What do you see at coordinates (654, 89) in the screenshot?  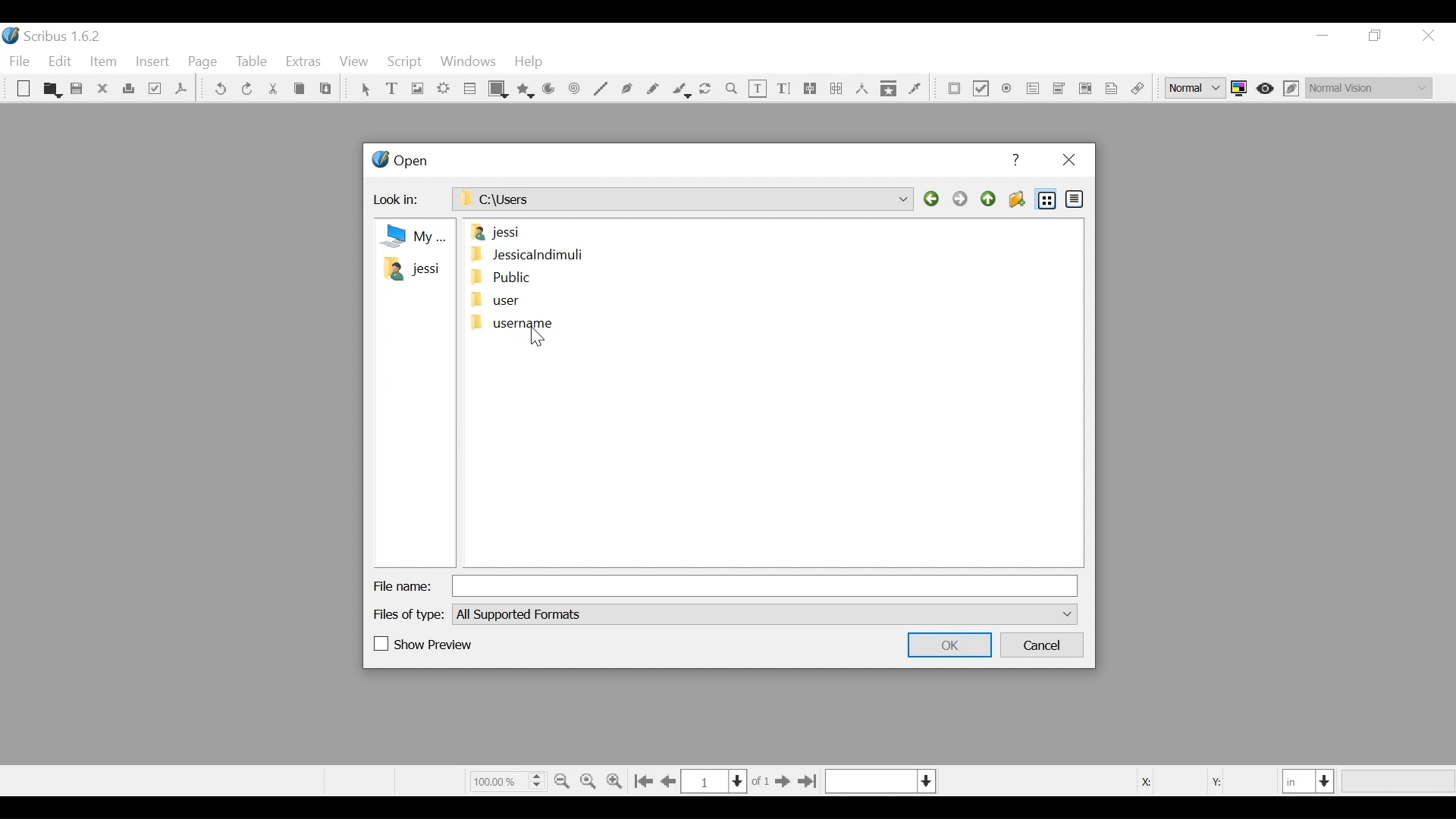 I see `Freehand line` at bounding box center [654, 89].